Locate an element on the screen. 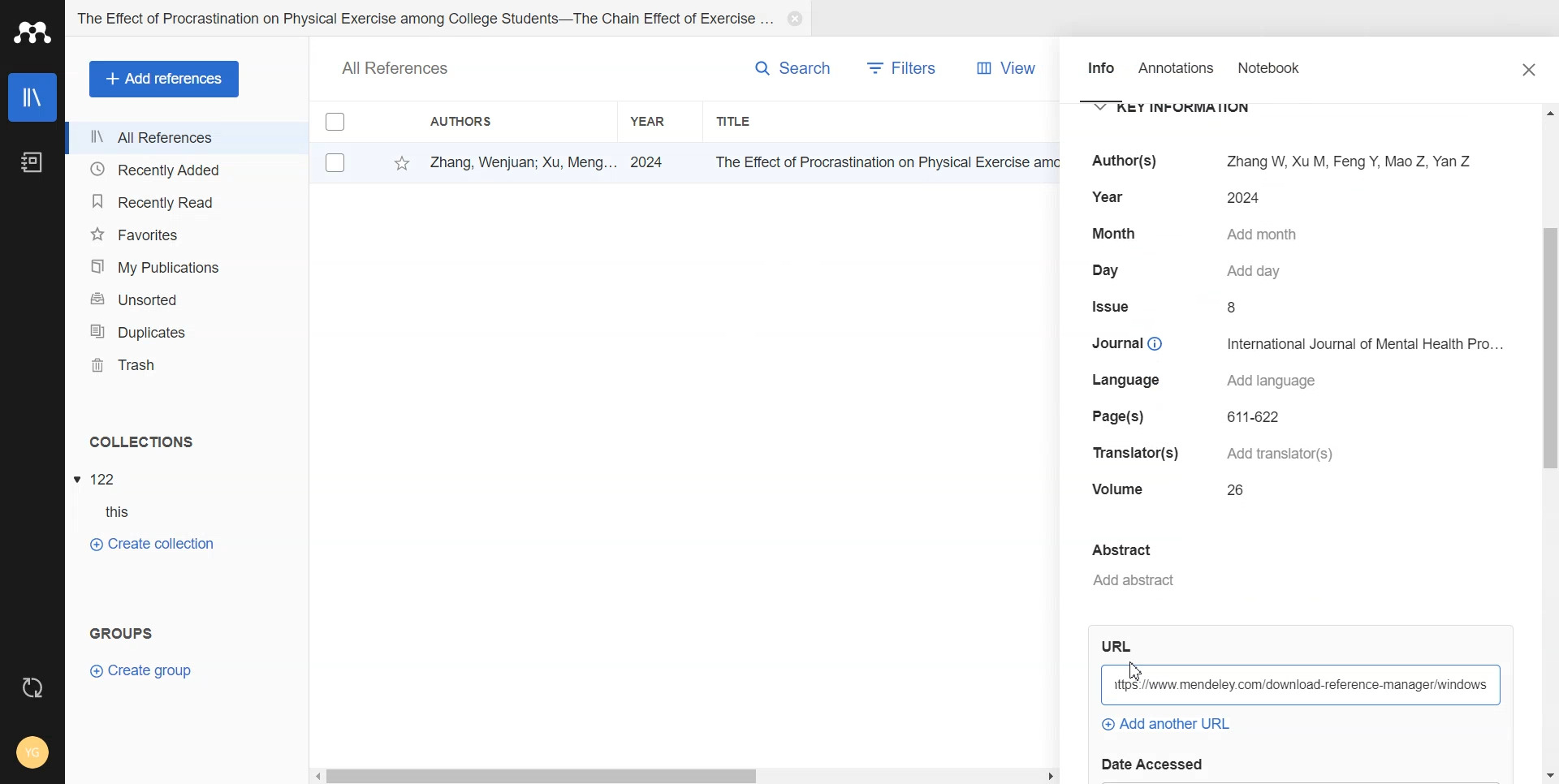 The height and width of the screenshot is (784, 1559). Text is located at coordinates (396, 67).